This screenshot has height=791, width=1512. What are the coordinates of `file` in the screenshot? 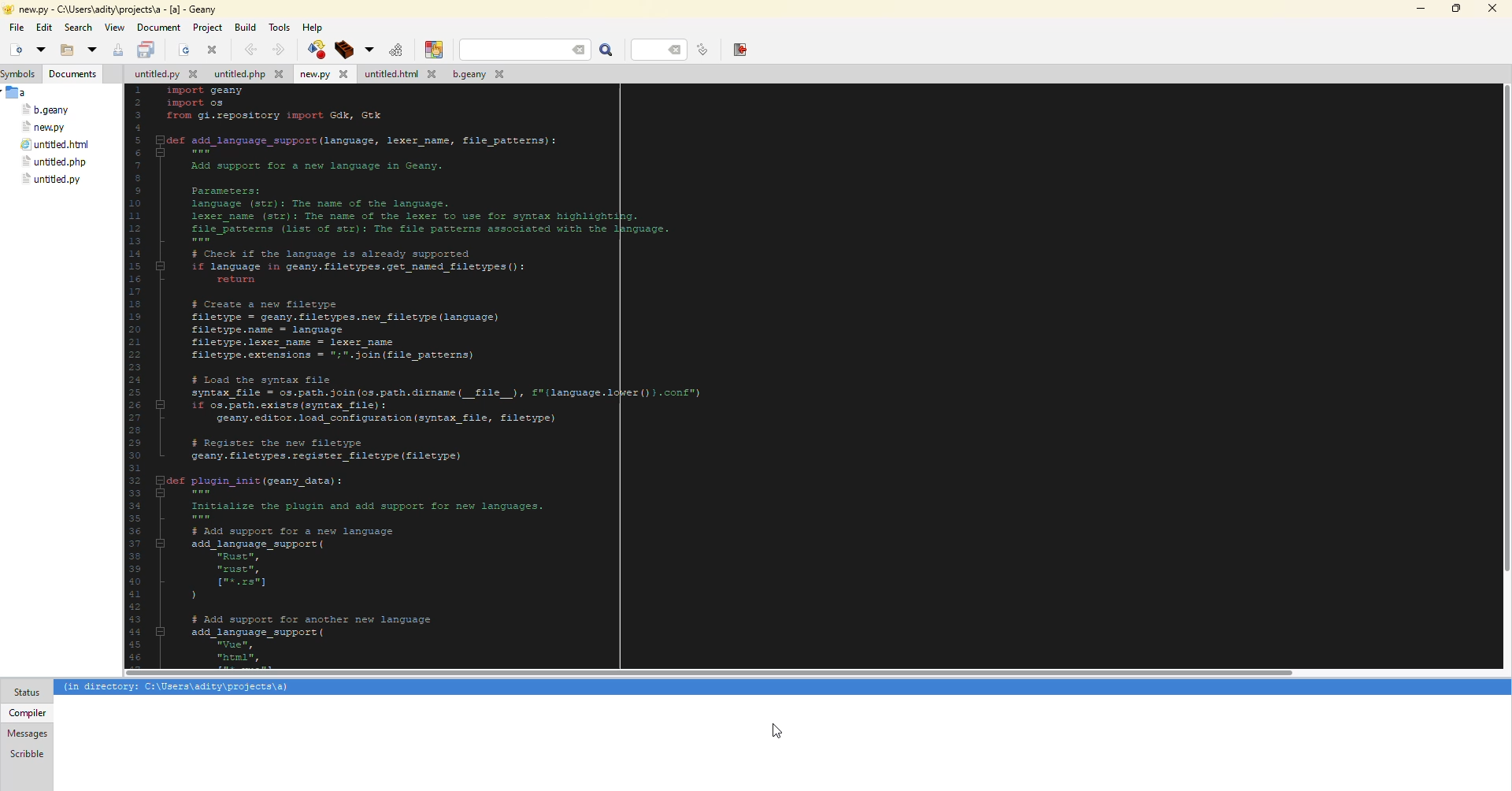 It's located at (43, 110).